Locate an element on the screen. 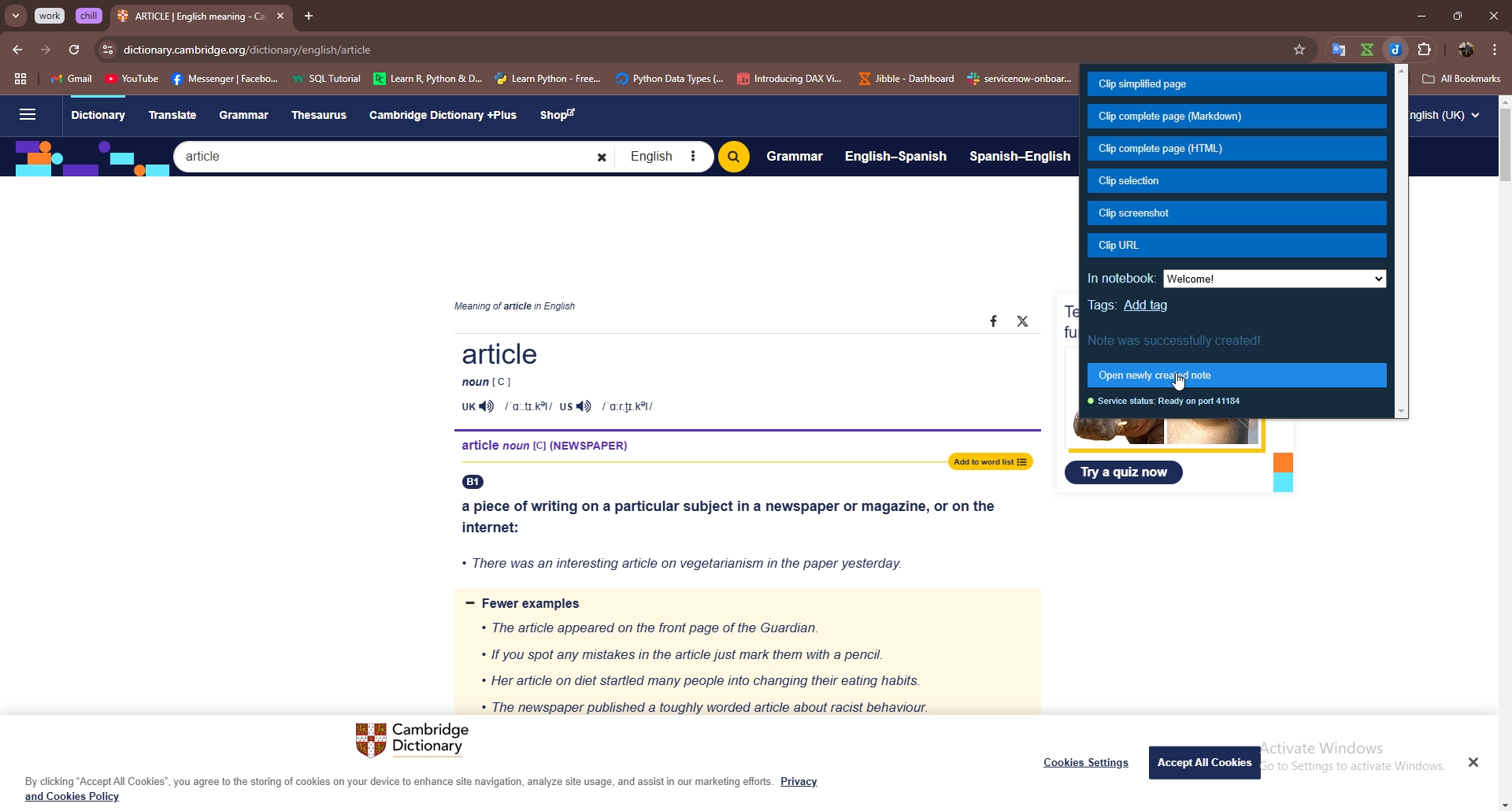  Grammar is located at coordinates (795, 155).